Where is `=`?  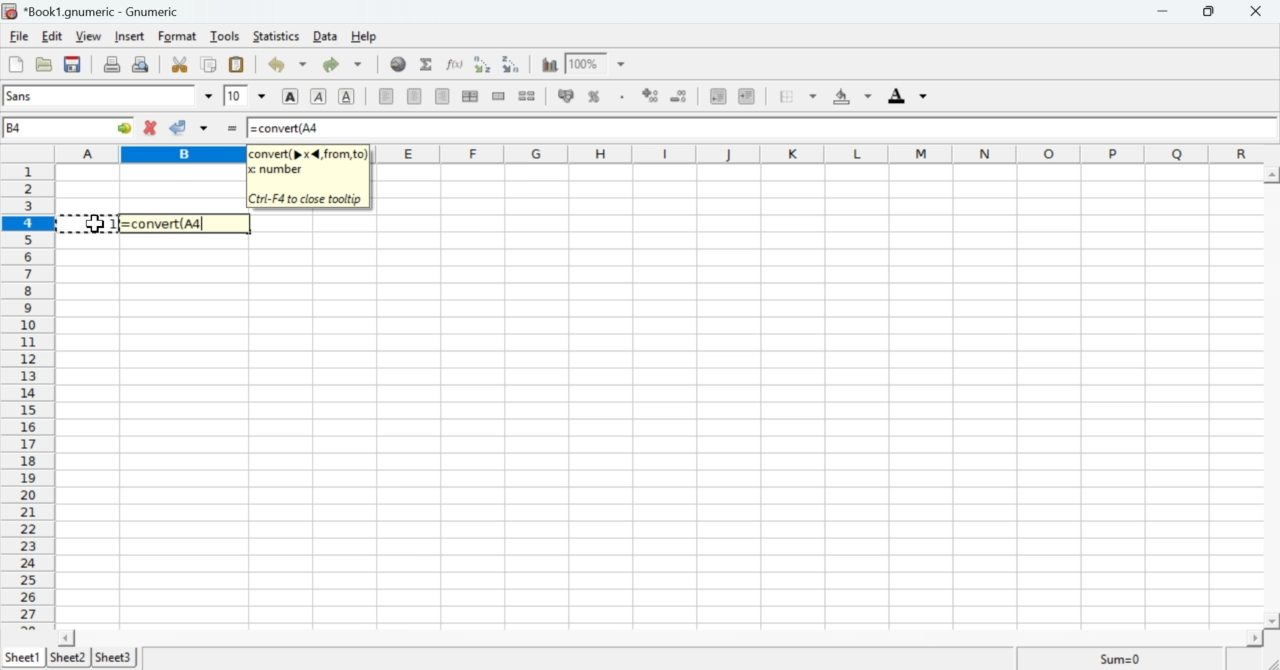 = is located at coordinates (231, 130).